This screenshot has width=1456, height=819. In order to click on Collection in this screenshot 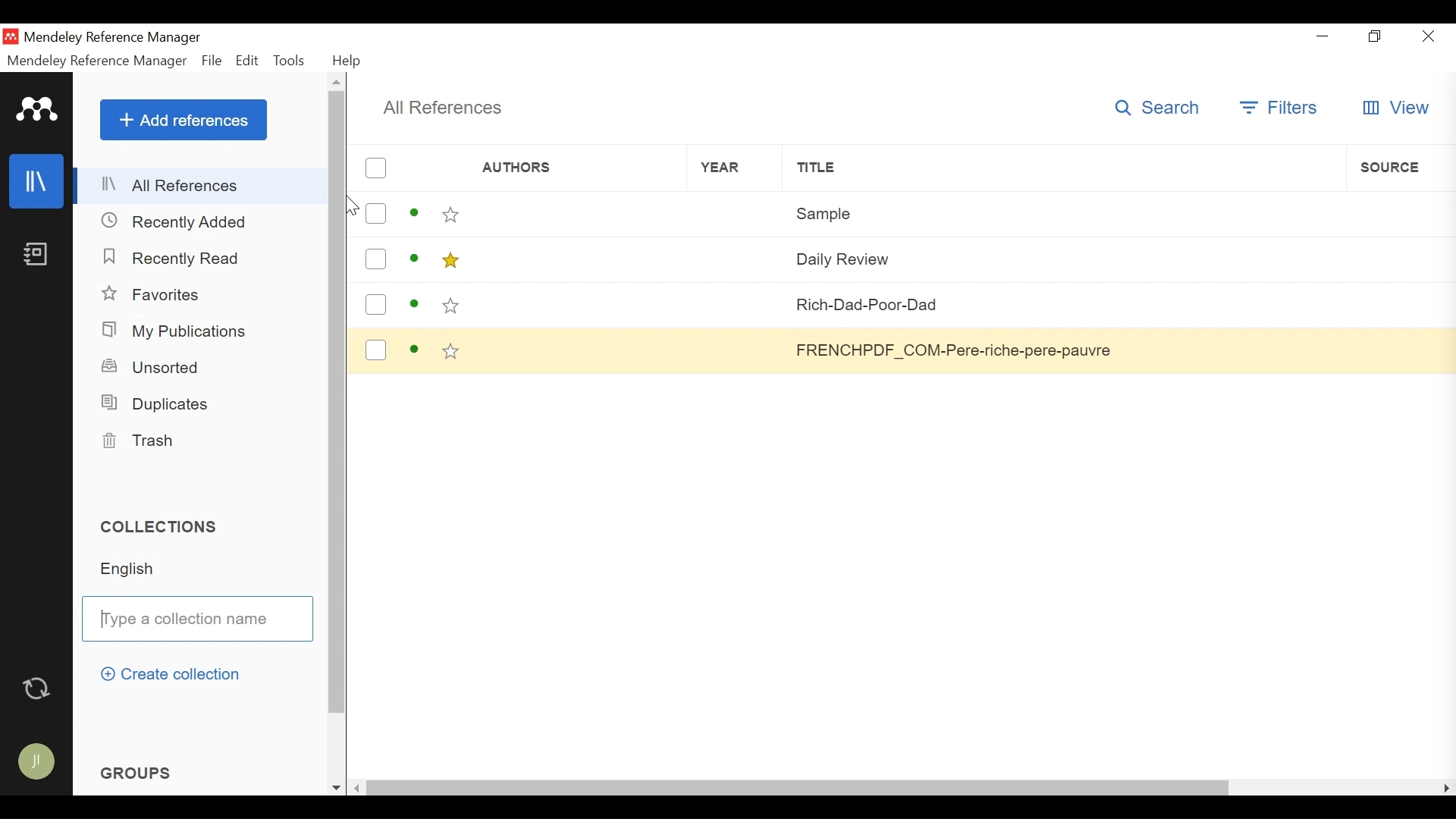, I will do `click(206, 569)`.